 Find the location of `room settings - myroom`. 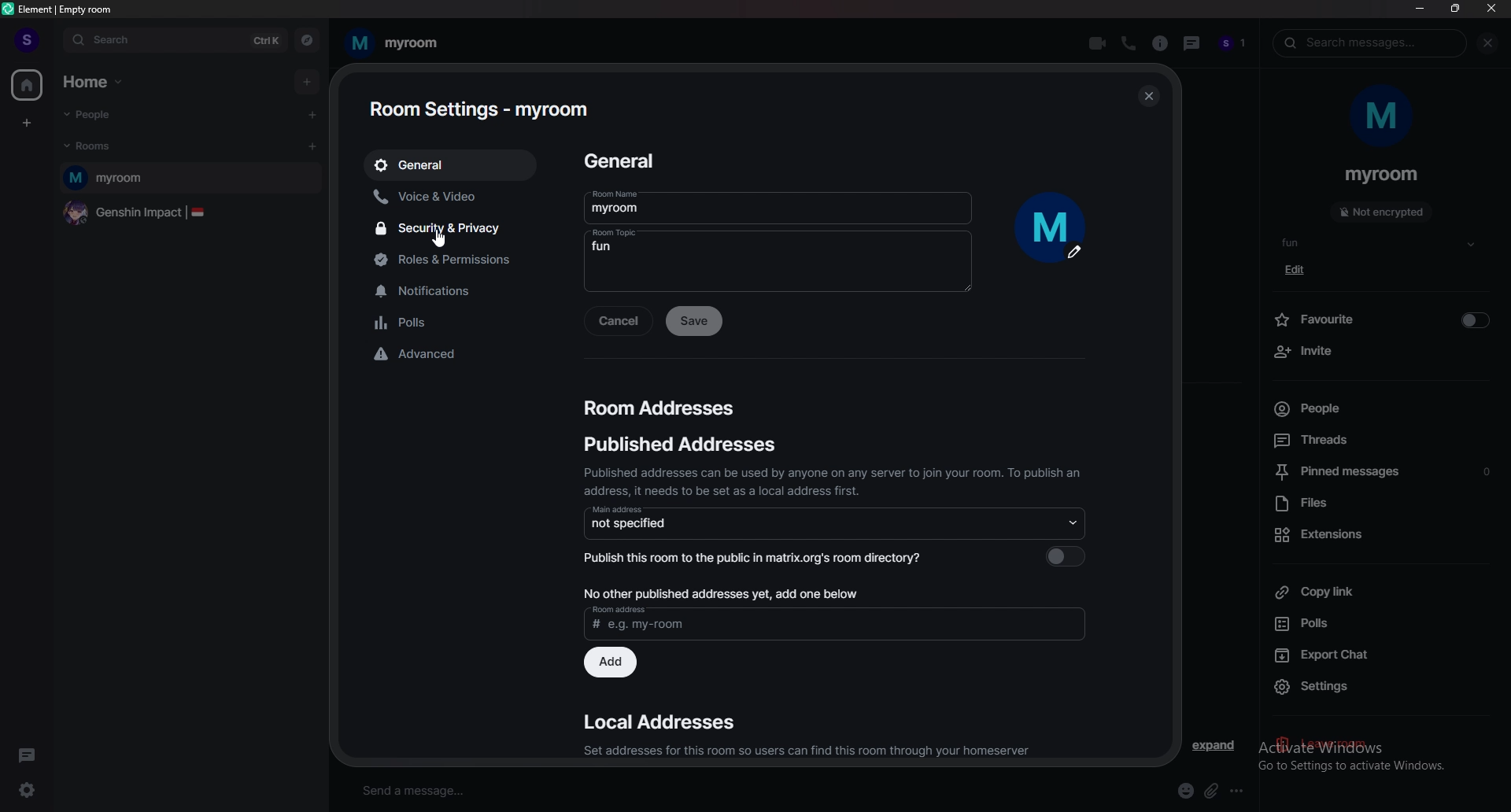

room settings - myroom is located at coordinates (481, 107).